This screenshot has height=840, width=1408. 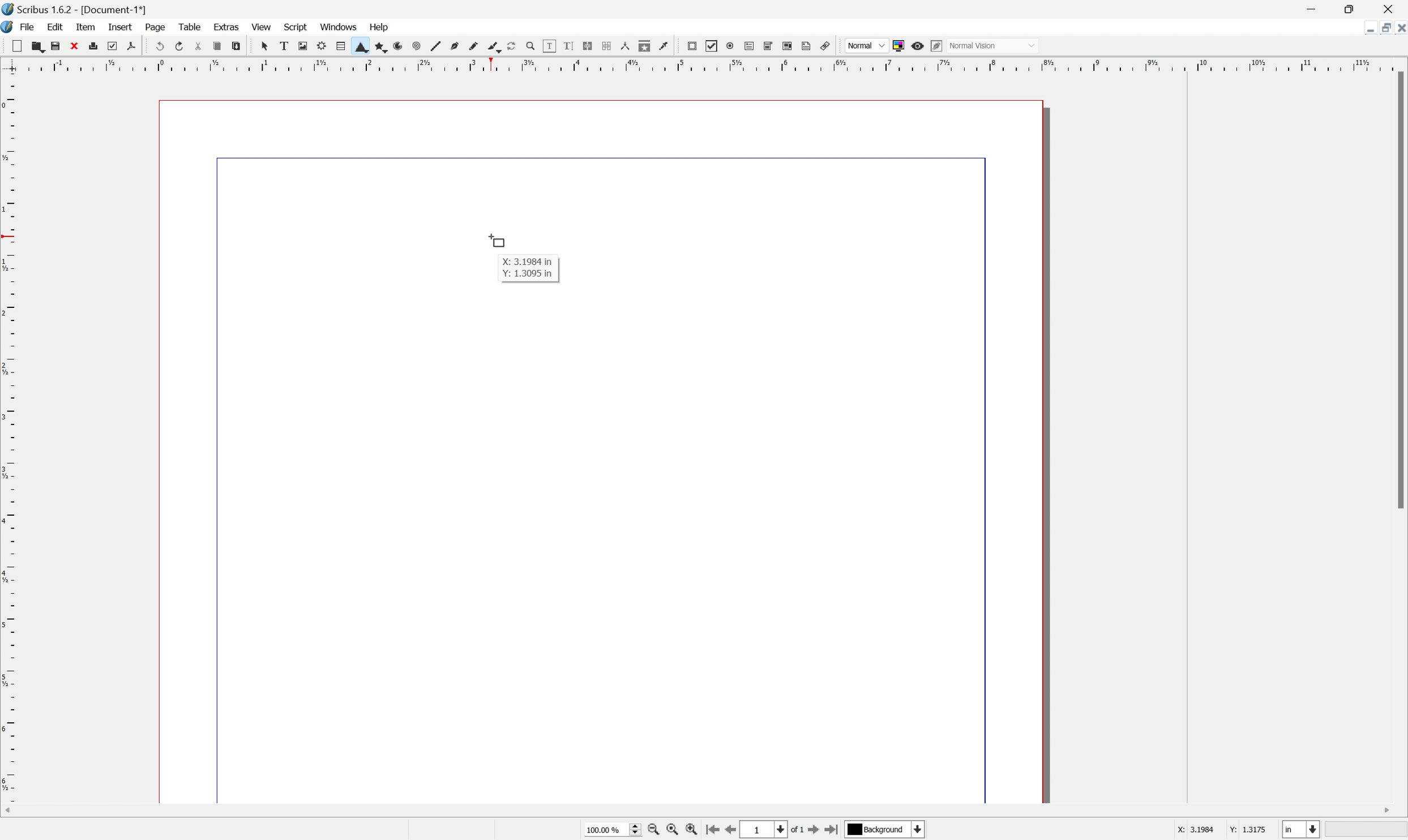 What do you see at coordinates (827, 45) in the screenshot?
I see `Link annotation` at bounding box center [827, 45].